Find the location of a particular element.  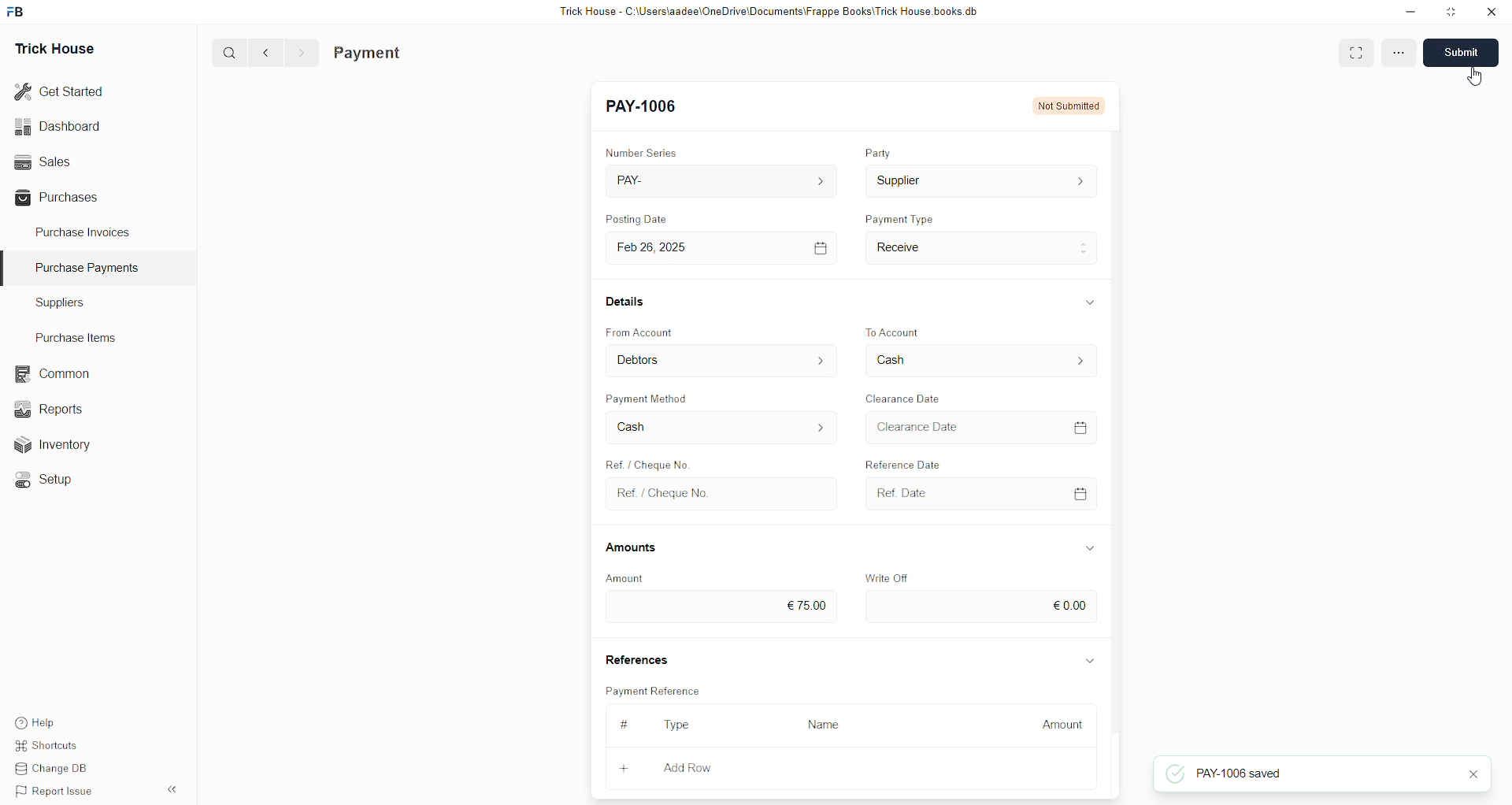

Purchase Invoices is located at coordinates (81, 235).